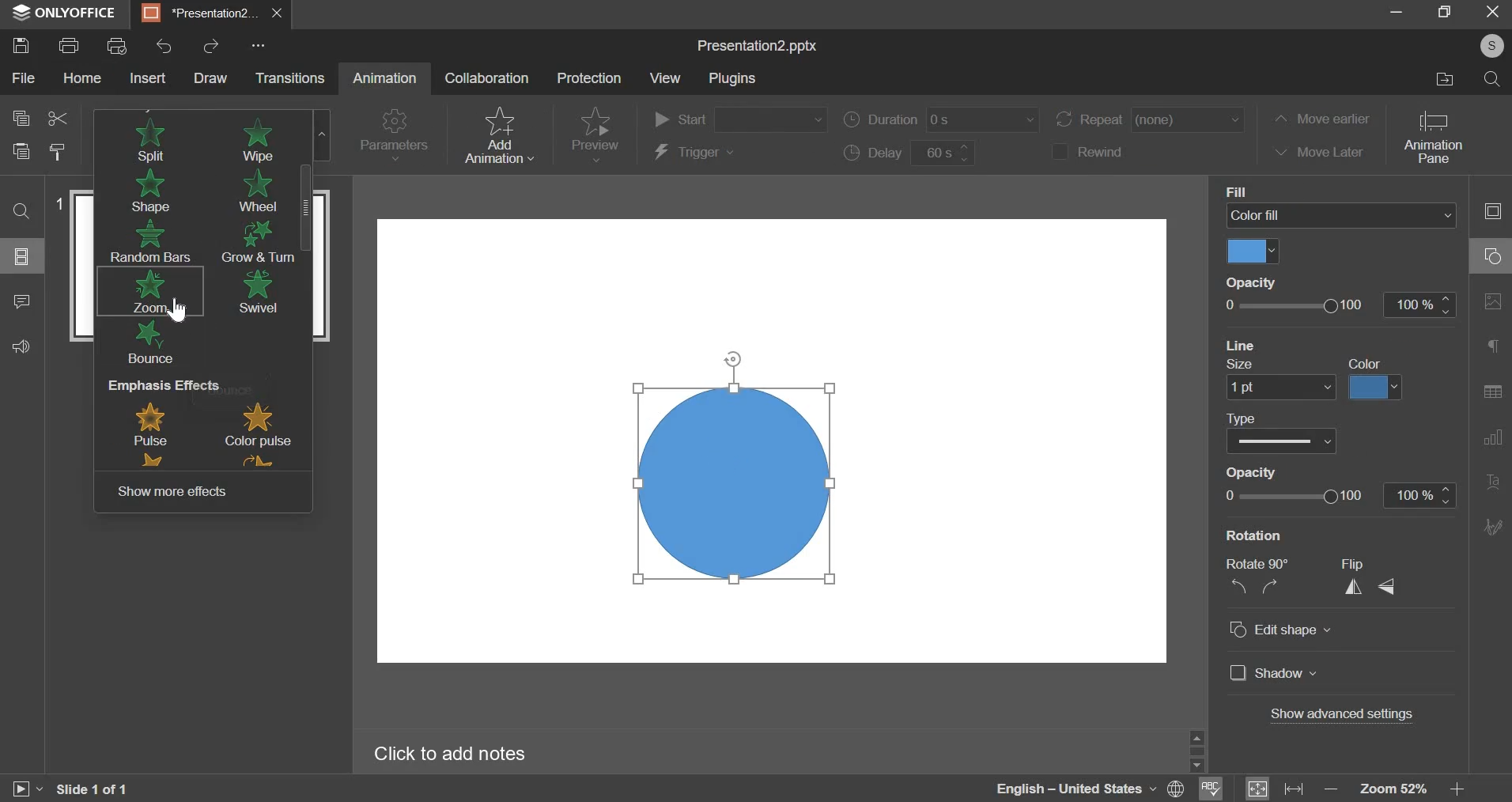  What do you see at coordinates (1364, 363) in the screenshot?
I see `color fill` at bounding box center [1364, 363].